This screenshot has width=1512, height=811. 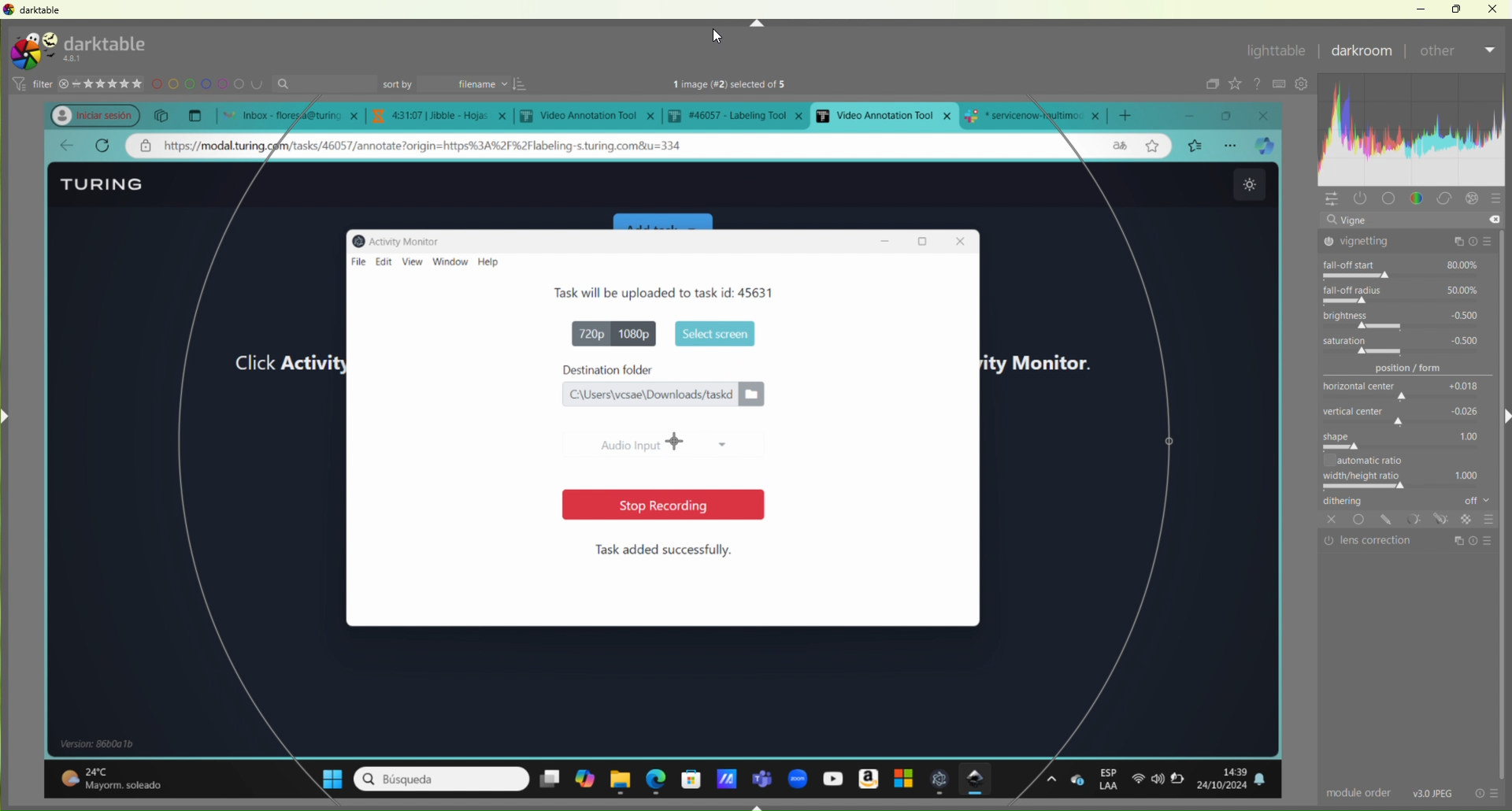 I want to click on search, so click(x=328, y=84).